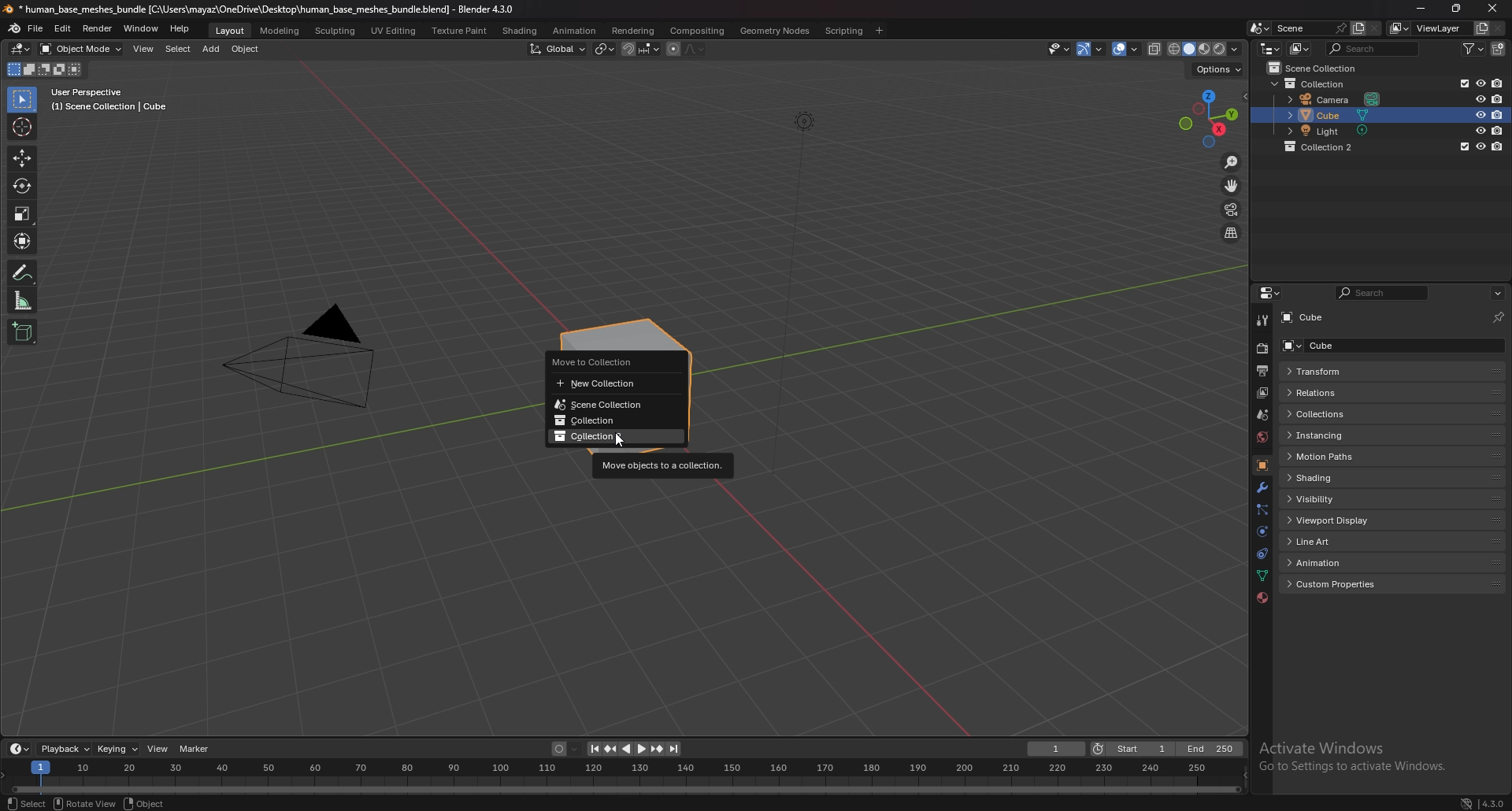  What do you see at coordinates (337, 30) in the screenshot?
I see `sculpting` at bounding box center [337, 30].